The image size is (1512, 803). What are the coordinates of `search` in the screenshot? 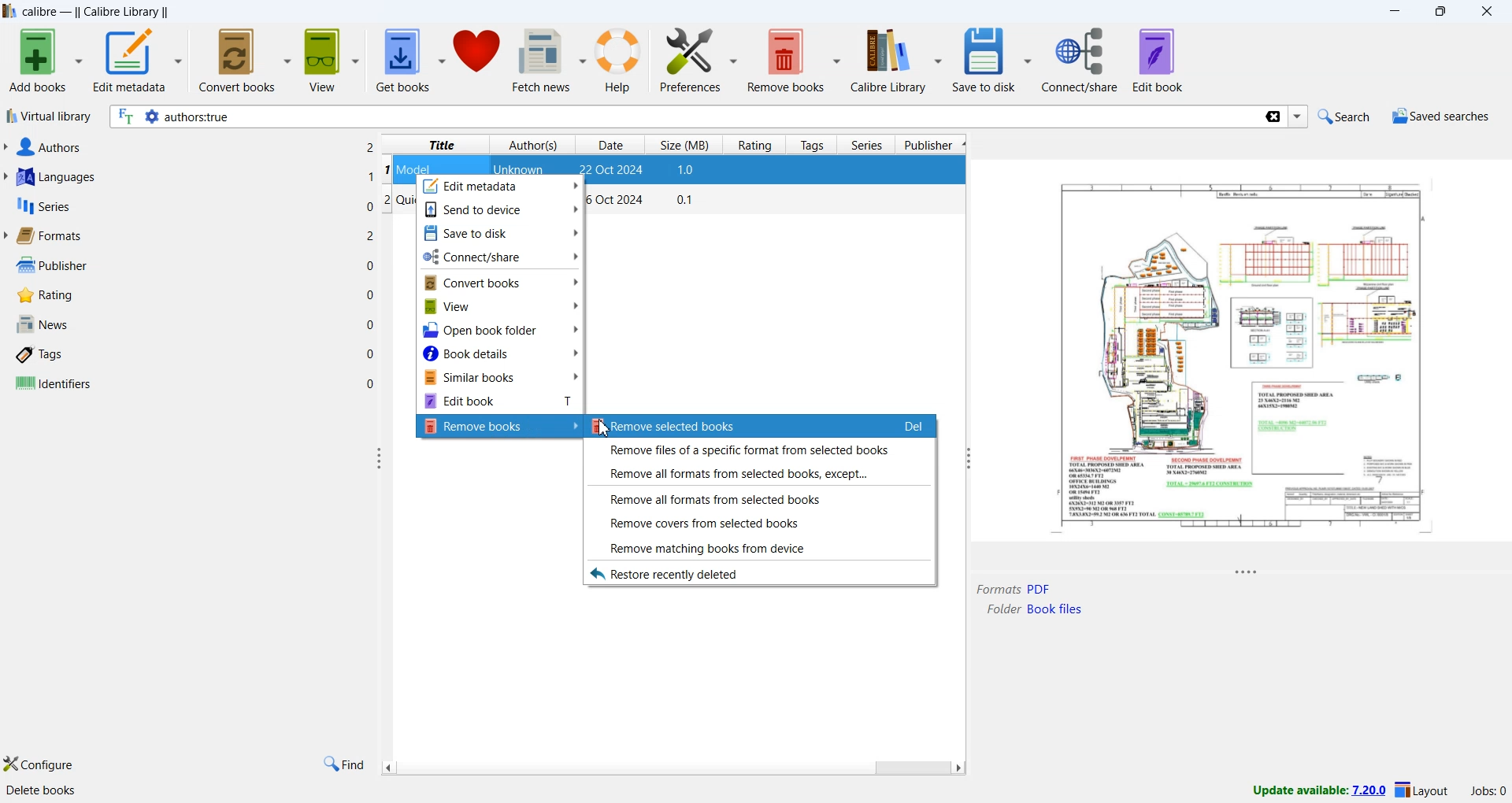 It's located at (1341, 116).